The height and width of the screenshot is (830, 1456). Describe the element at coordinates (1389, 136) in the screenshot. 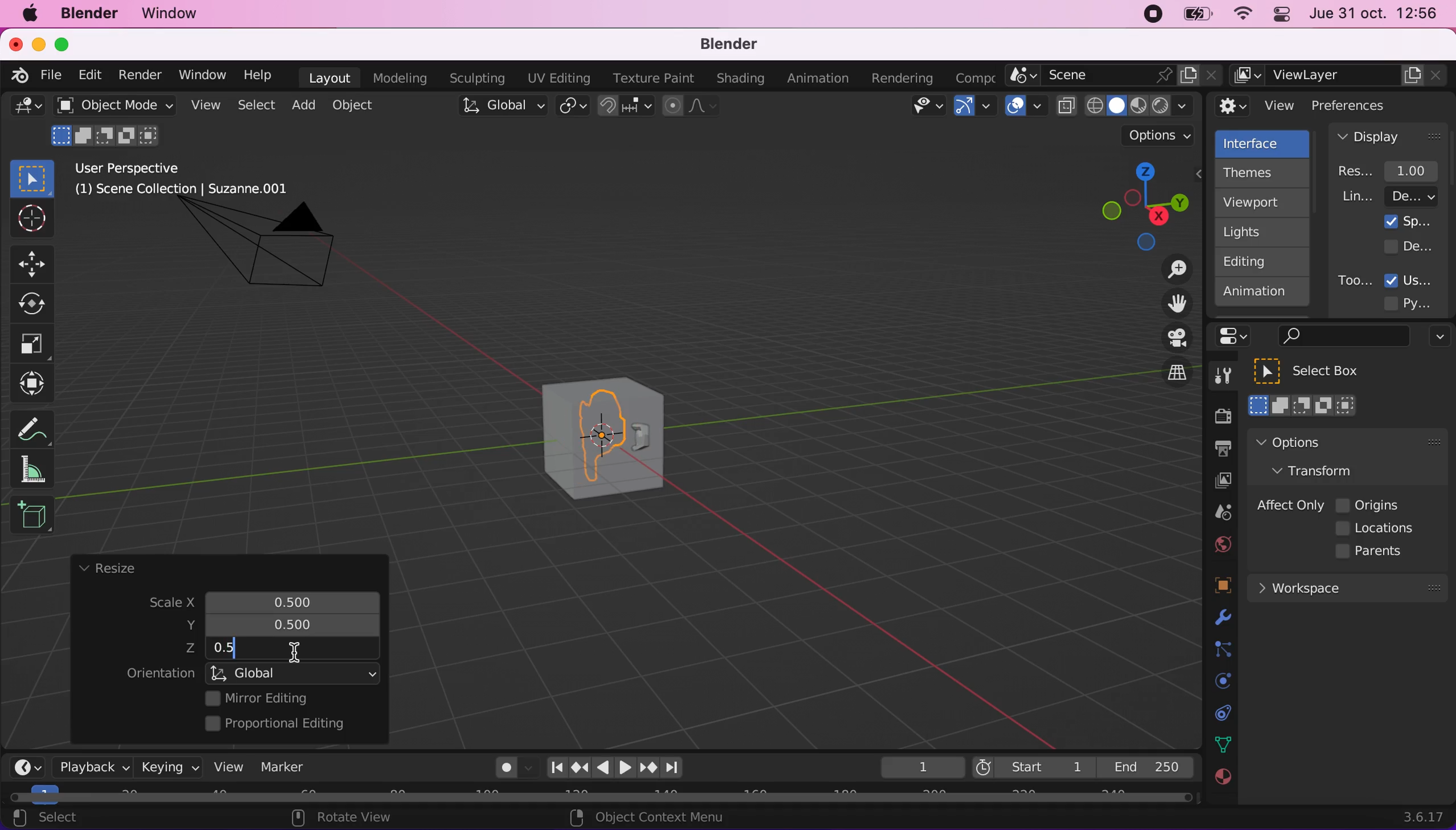

I see `display panel` at that location.